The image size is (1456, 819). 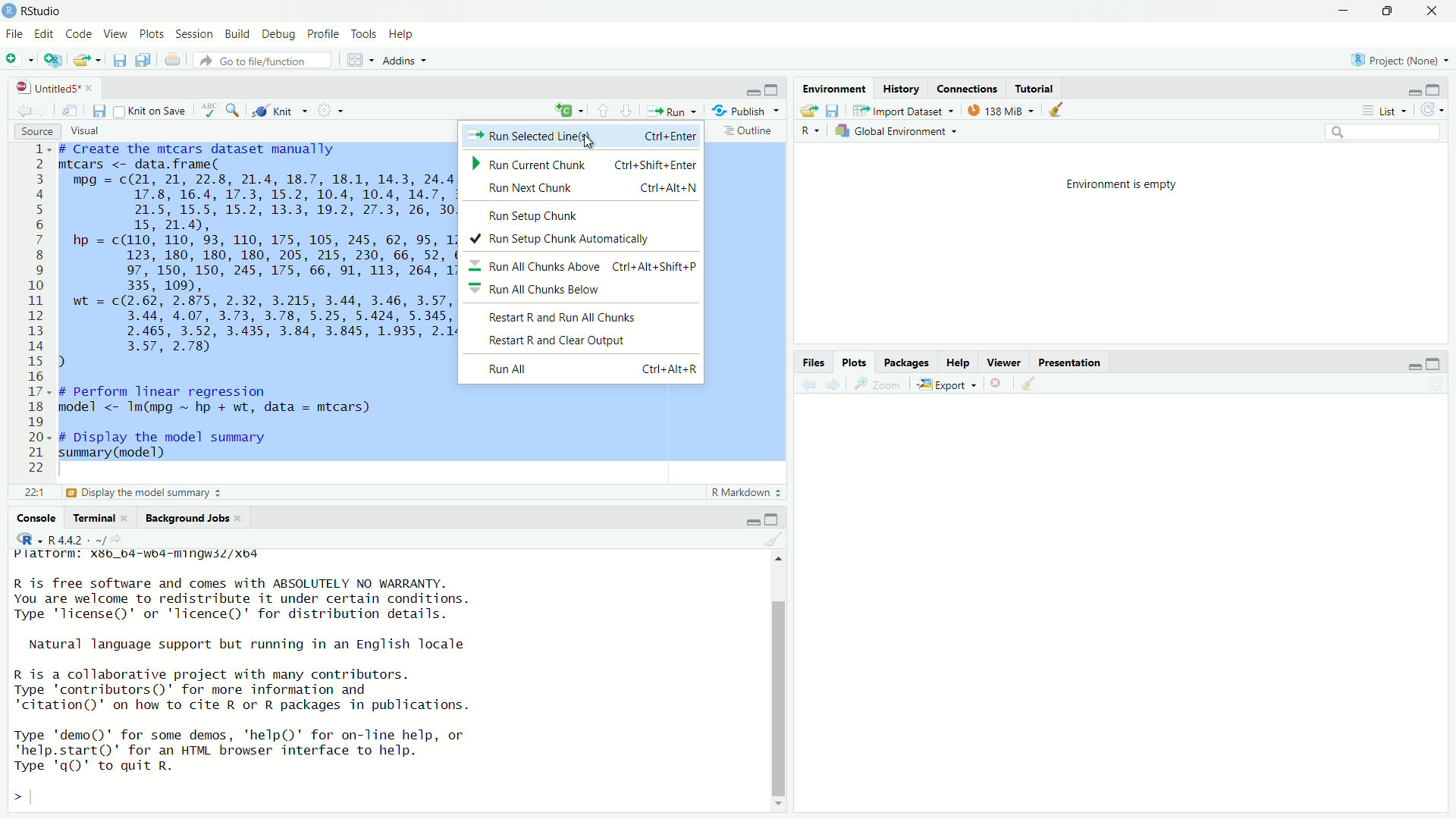 What do you see at coordinates (968, 89) in the screenshot?
I see `Connections` at bounding box center [968, 89].